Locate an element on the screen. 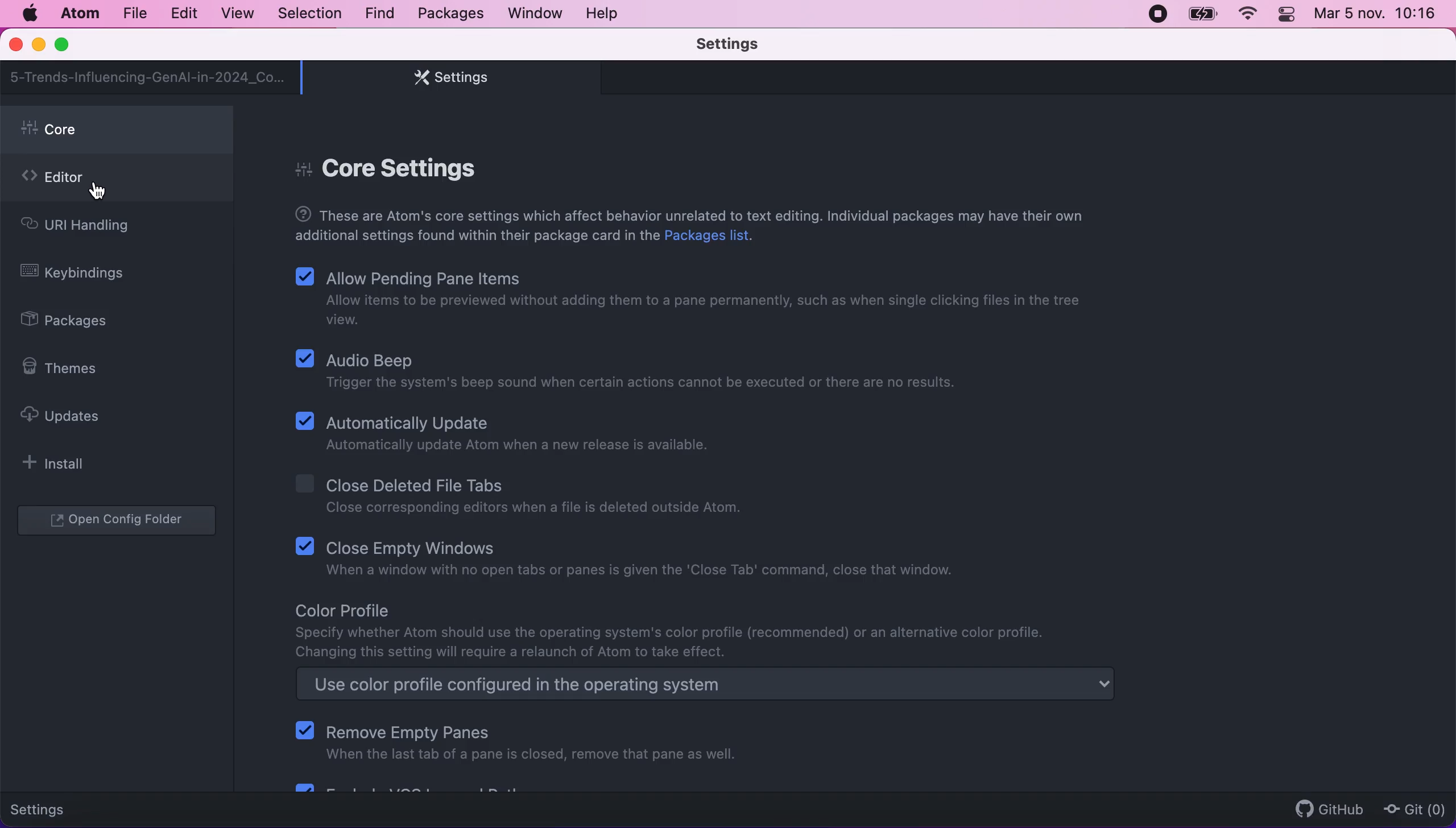 This screenshot has height=828, width=1456. updates is located at coordinates (71, 415).